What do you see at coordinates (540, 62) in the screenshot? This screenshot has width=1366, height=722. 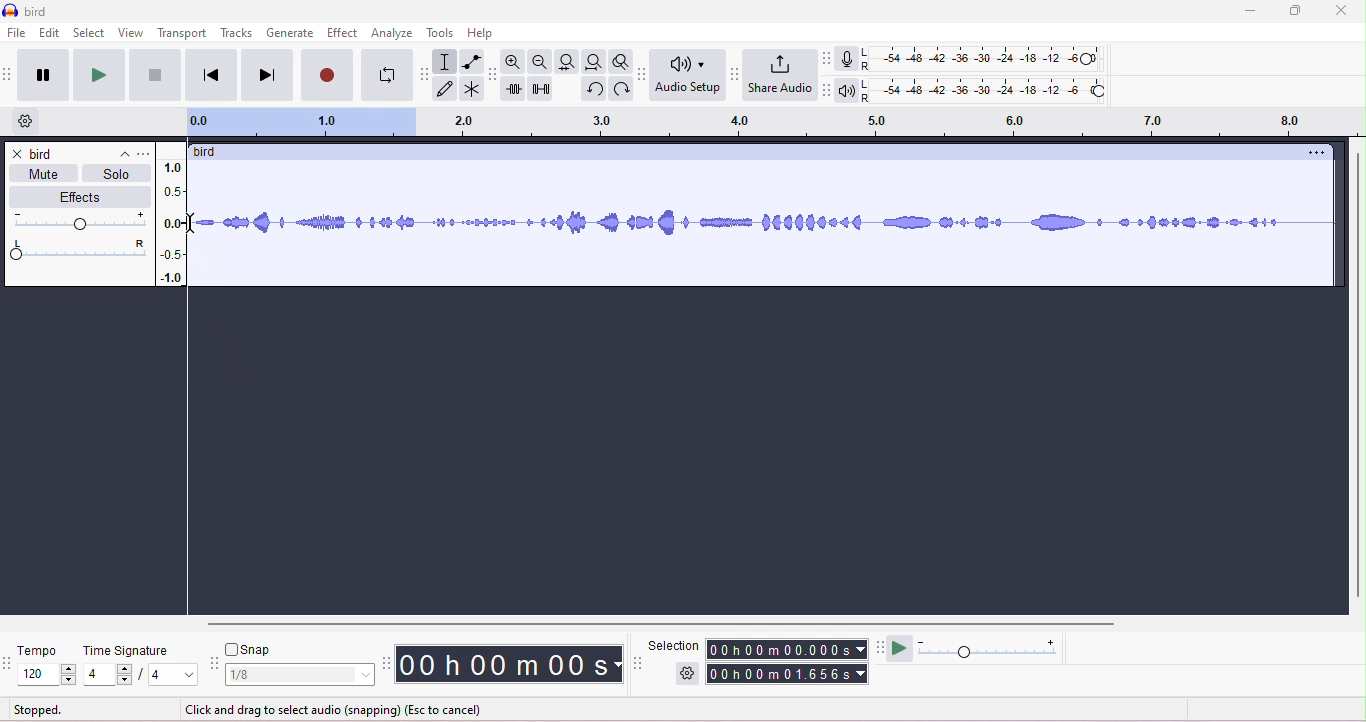 I see `zoom out` at bounding box center [540, 62].